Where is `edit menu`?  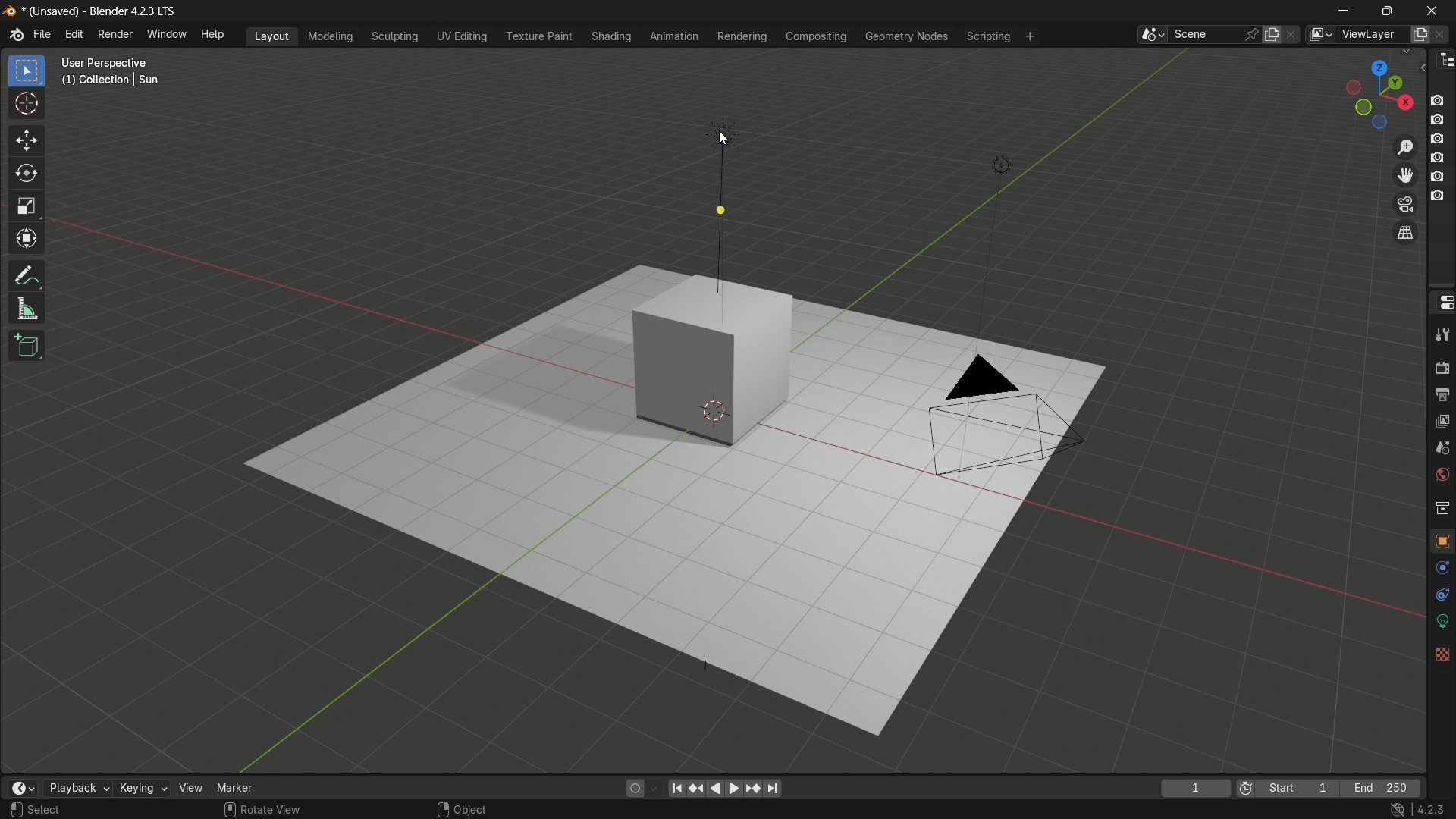
edit menu is located at coordinates (74, 33).